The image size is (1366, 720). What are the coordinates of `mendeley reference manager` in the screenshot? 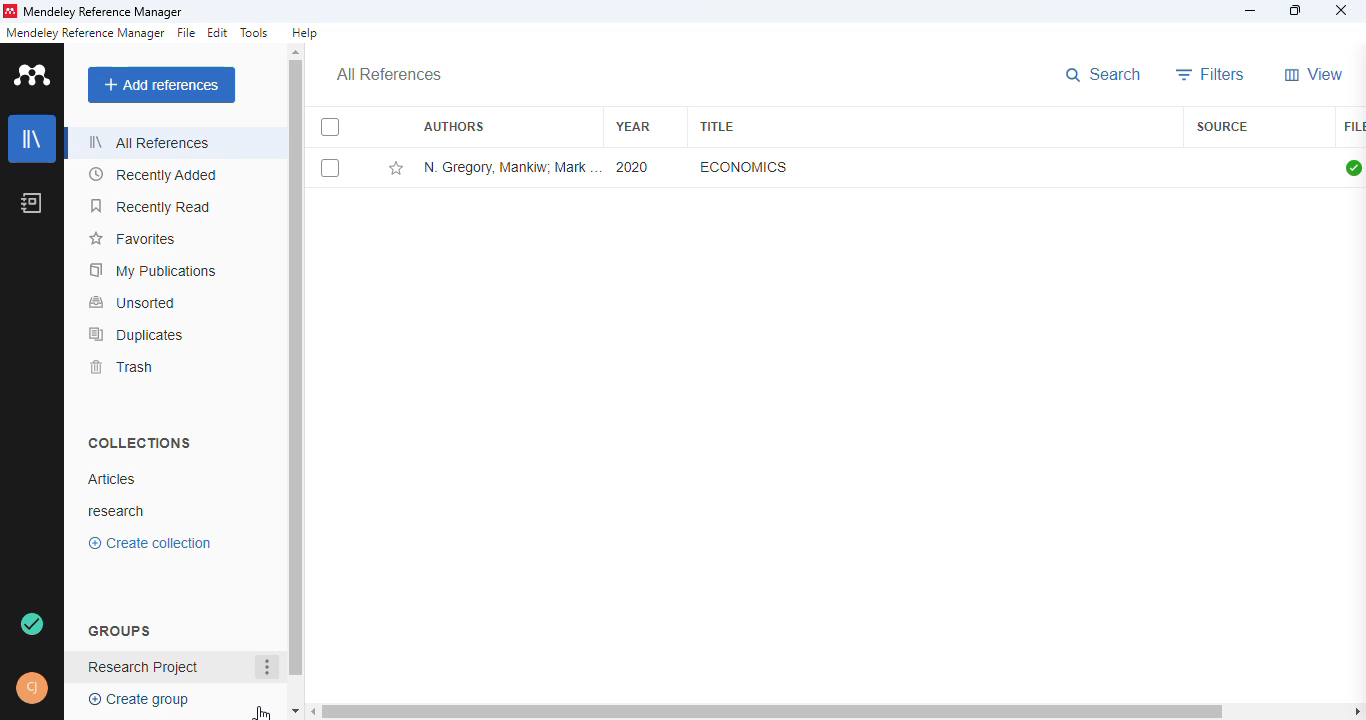 It's located at (85, 33).